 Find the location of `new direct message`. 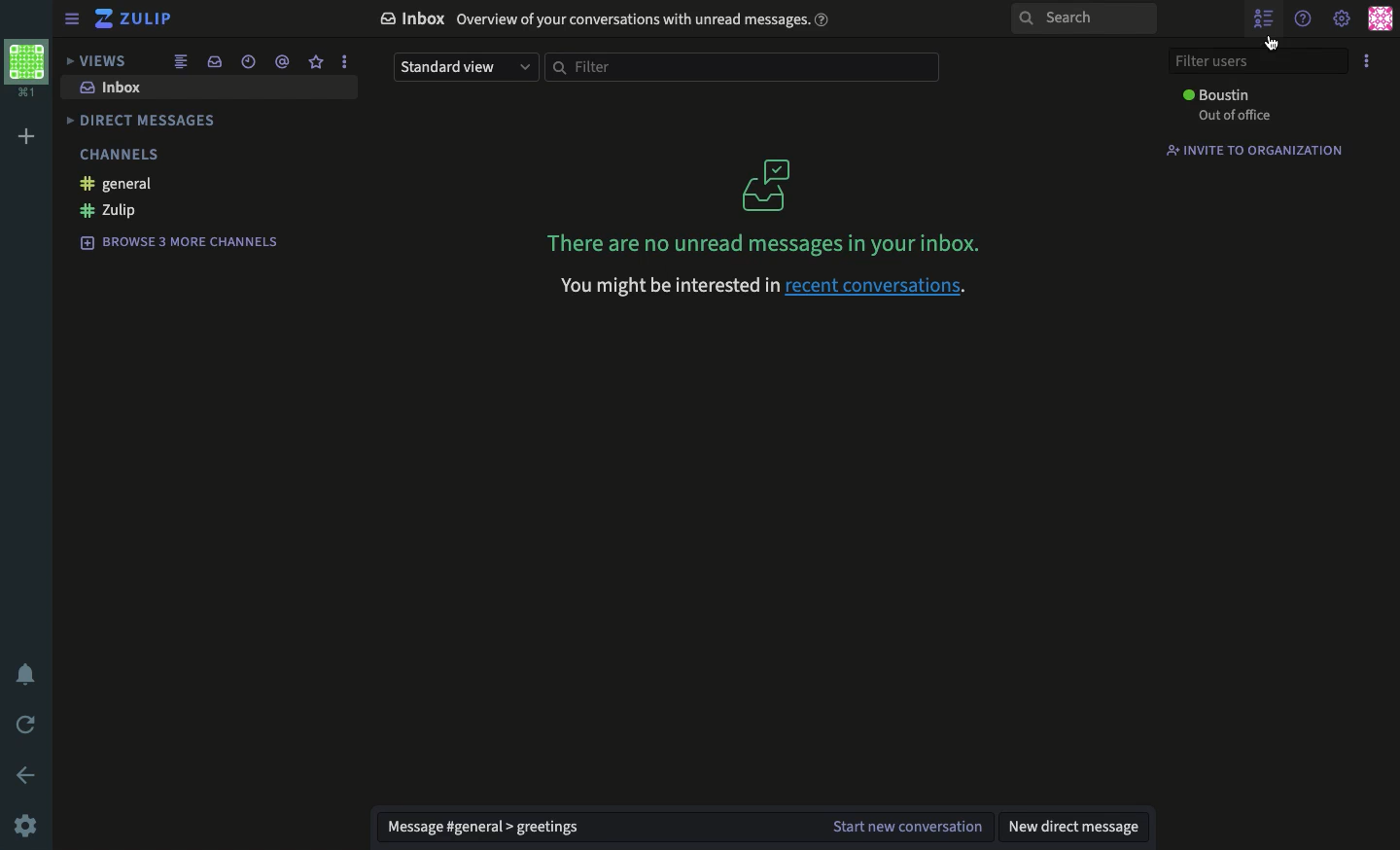

new direct message is located at coordinates (1071, 827).